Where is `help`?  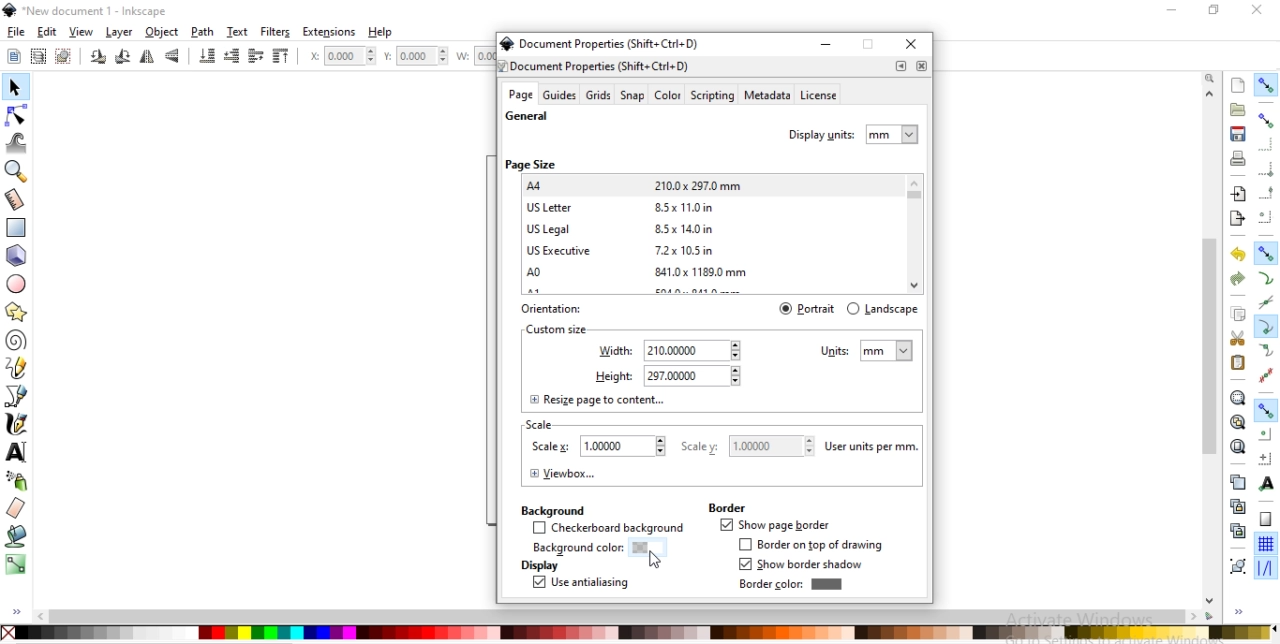 help is located at coordinates (382, 32).